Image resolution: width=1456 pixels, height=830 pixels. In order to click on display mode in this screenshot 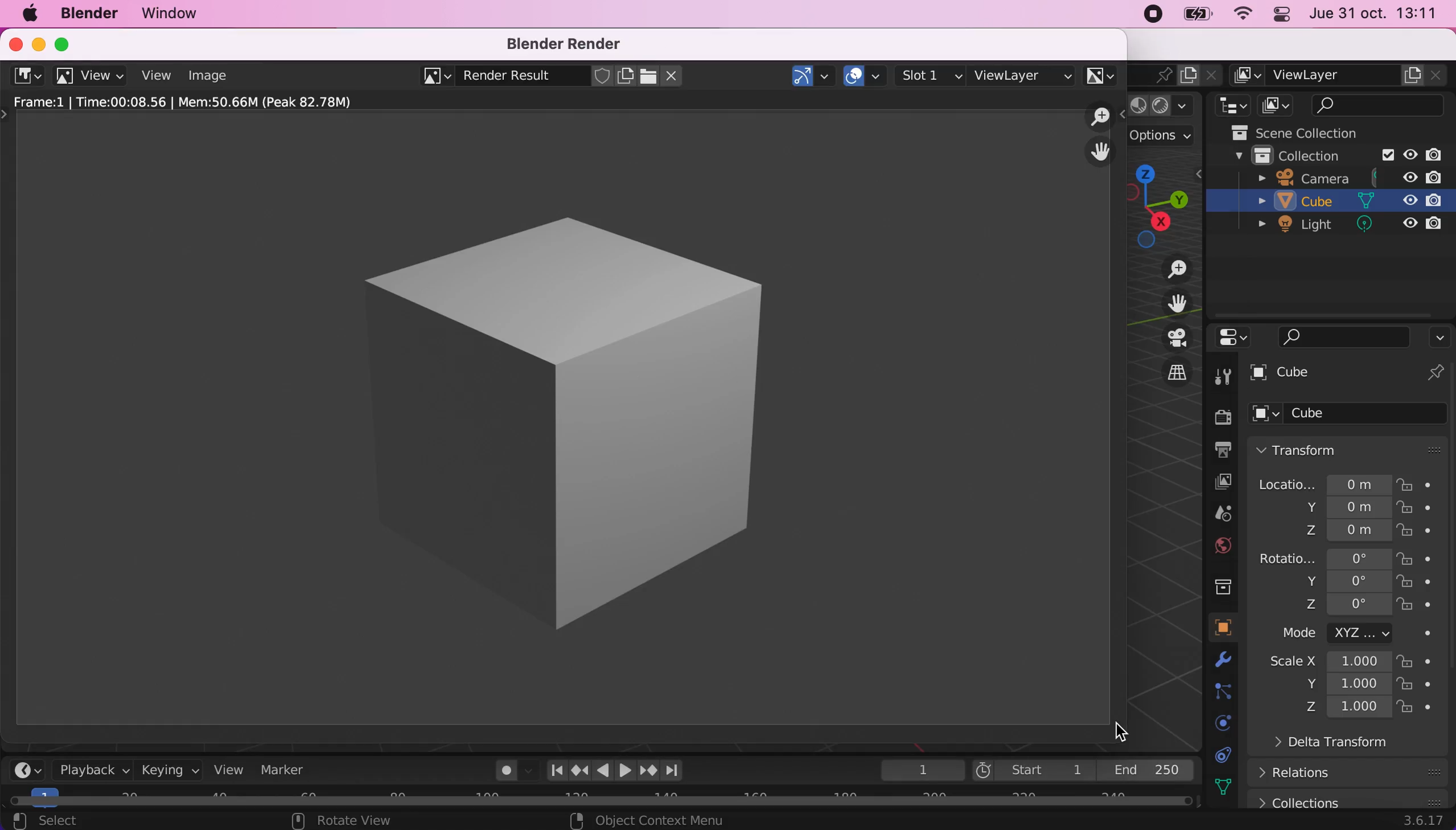, I will do `click(1279, 105)`.